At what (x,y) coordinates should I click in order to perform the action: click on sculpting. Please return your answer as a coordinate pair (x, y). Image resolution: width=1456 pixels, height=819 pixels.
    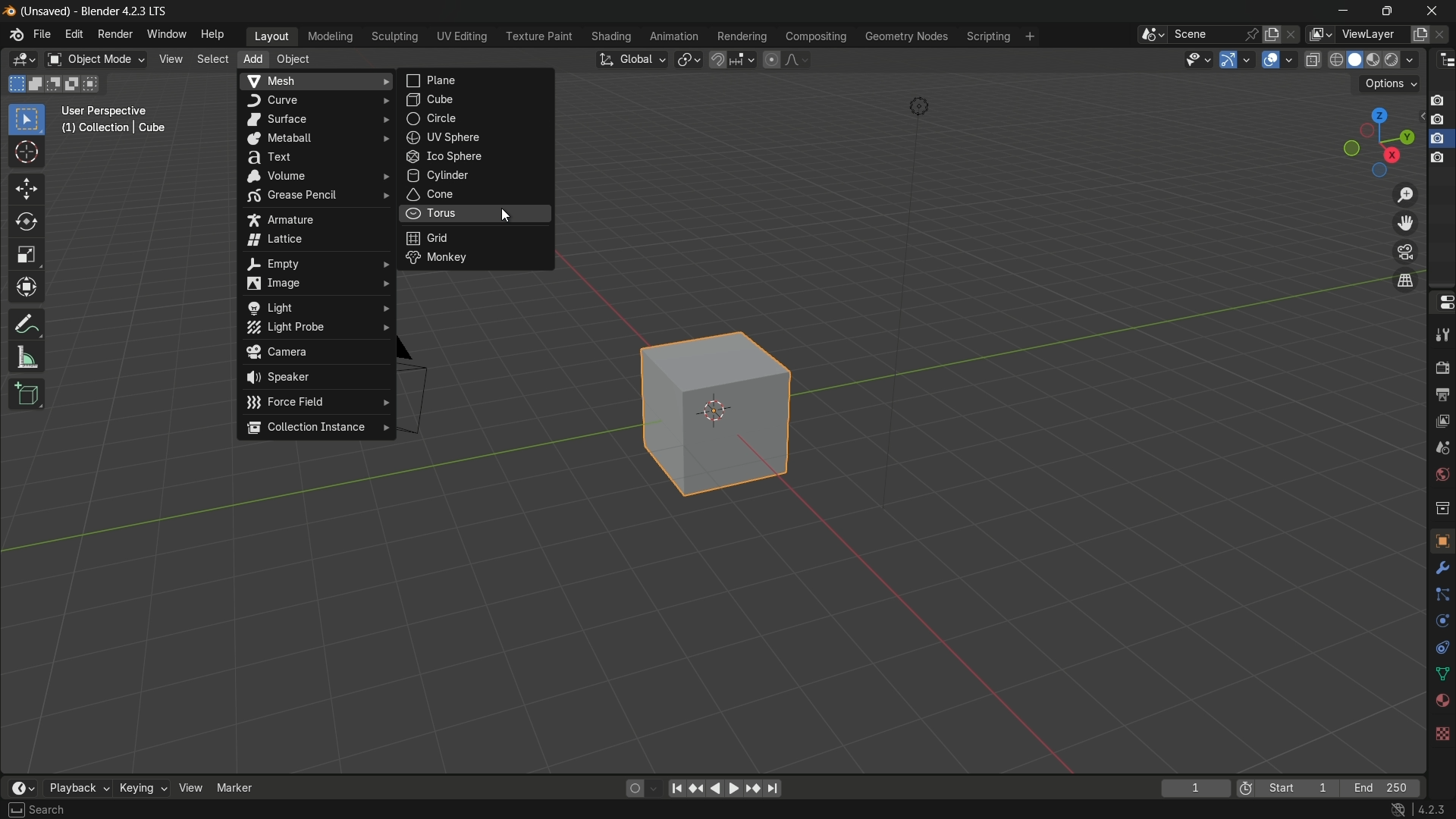
    Looking at the image, I should click on (396, 36).